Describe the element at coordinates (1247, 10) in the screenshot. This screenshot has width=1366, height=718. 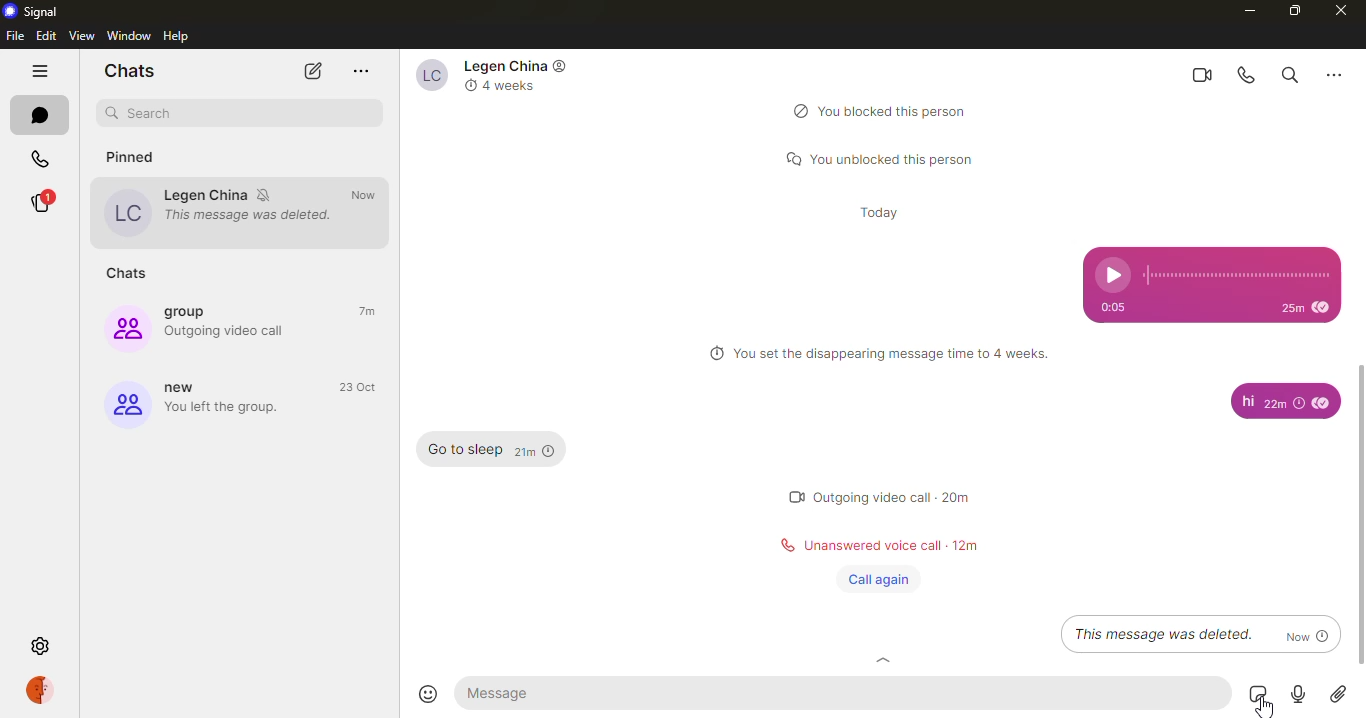
I see `minimize` at that location.